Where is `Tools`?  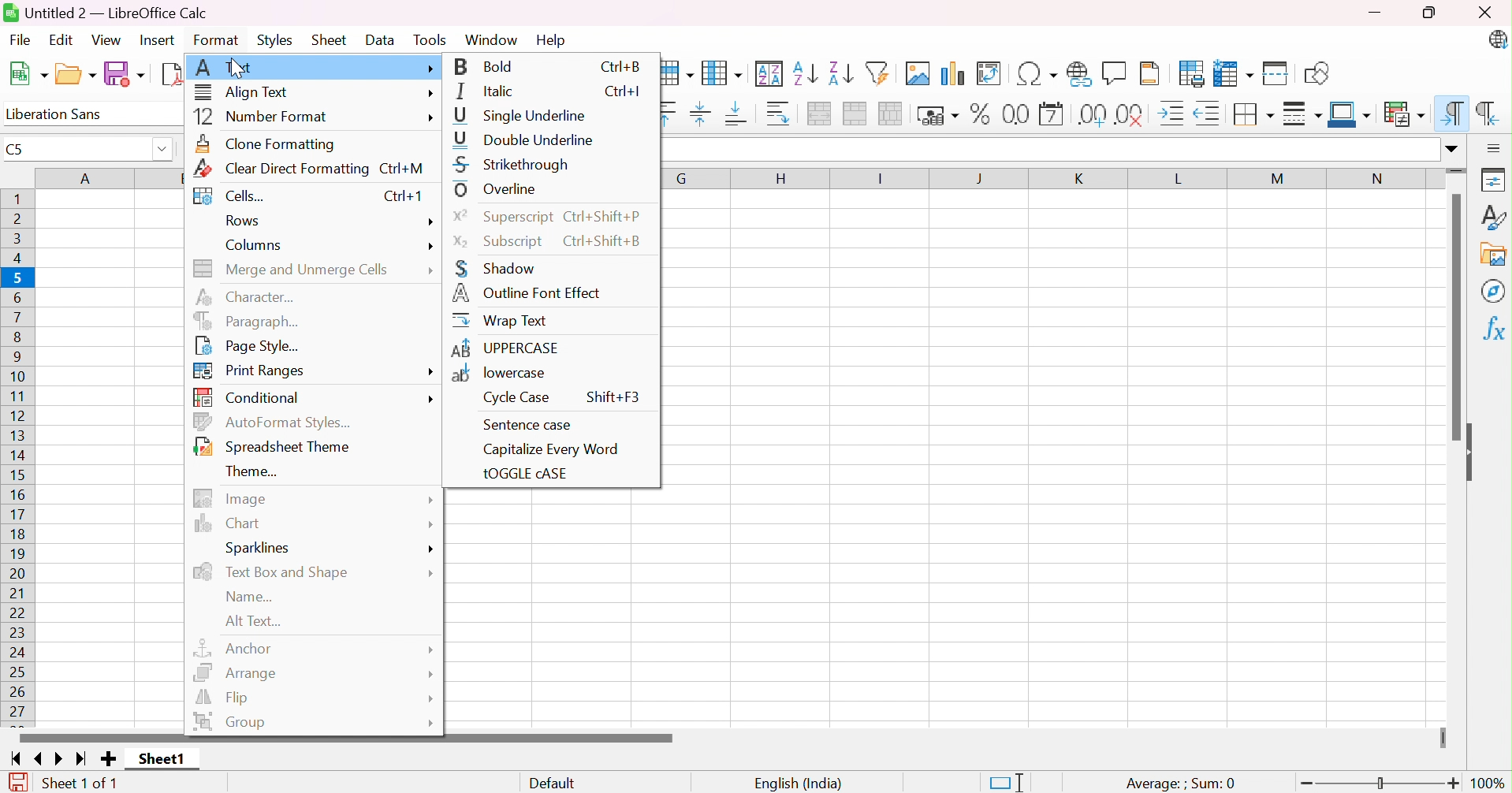
Tools is located at coordinates (435, 38).